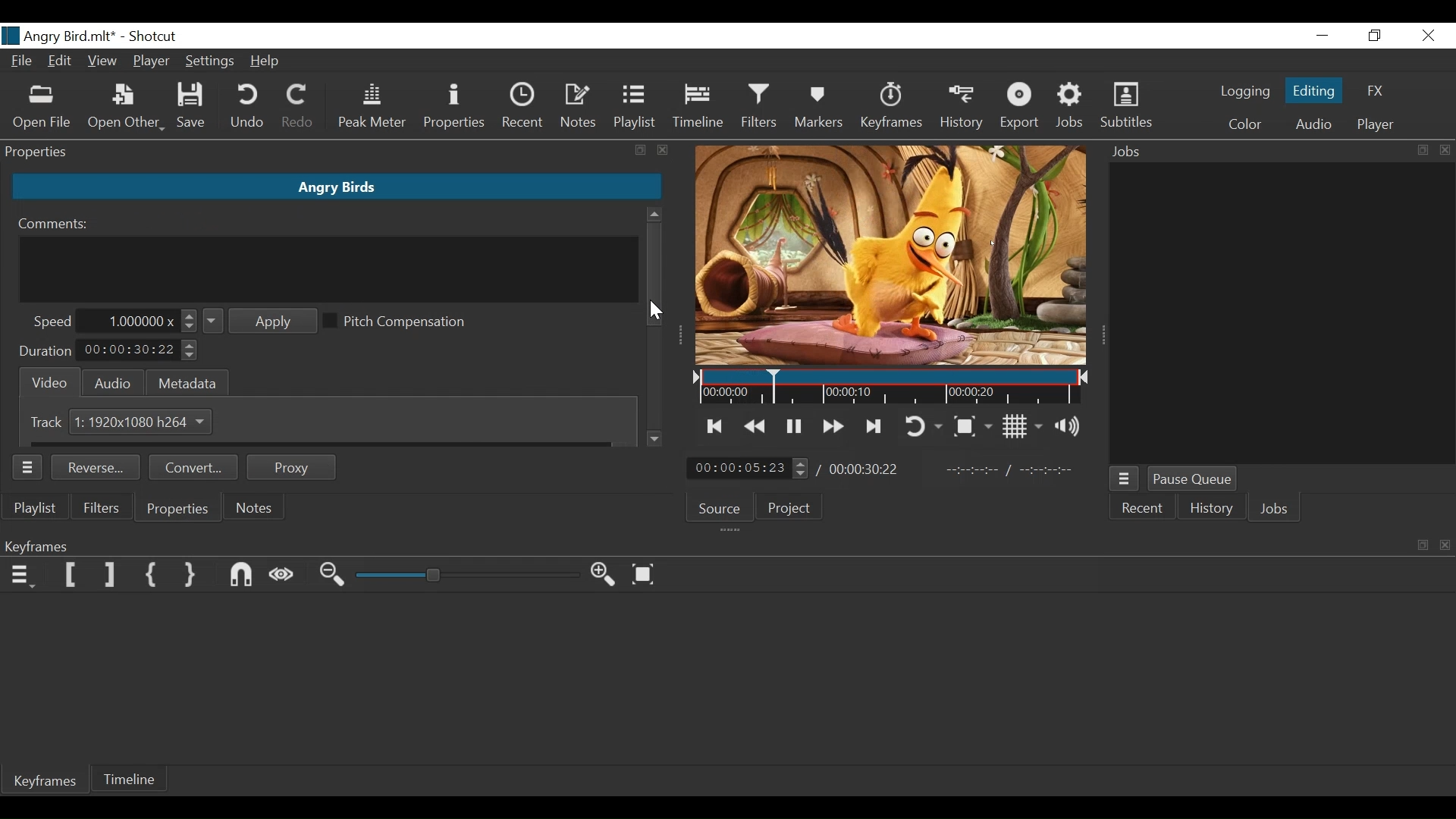 This screenshot has height=819, width=1456. Describe the element at coordinates (71, 574) in the screenshot. I see `Set Filter First` at that location.